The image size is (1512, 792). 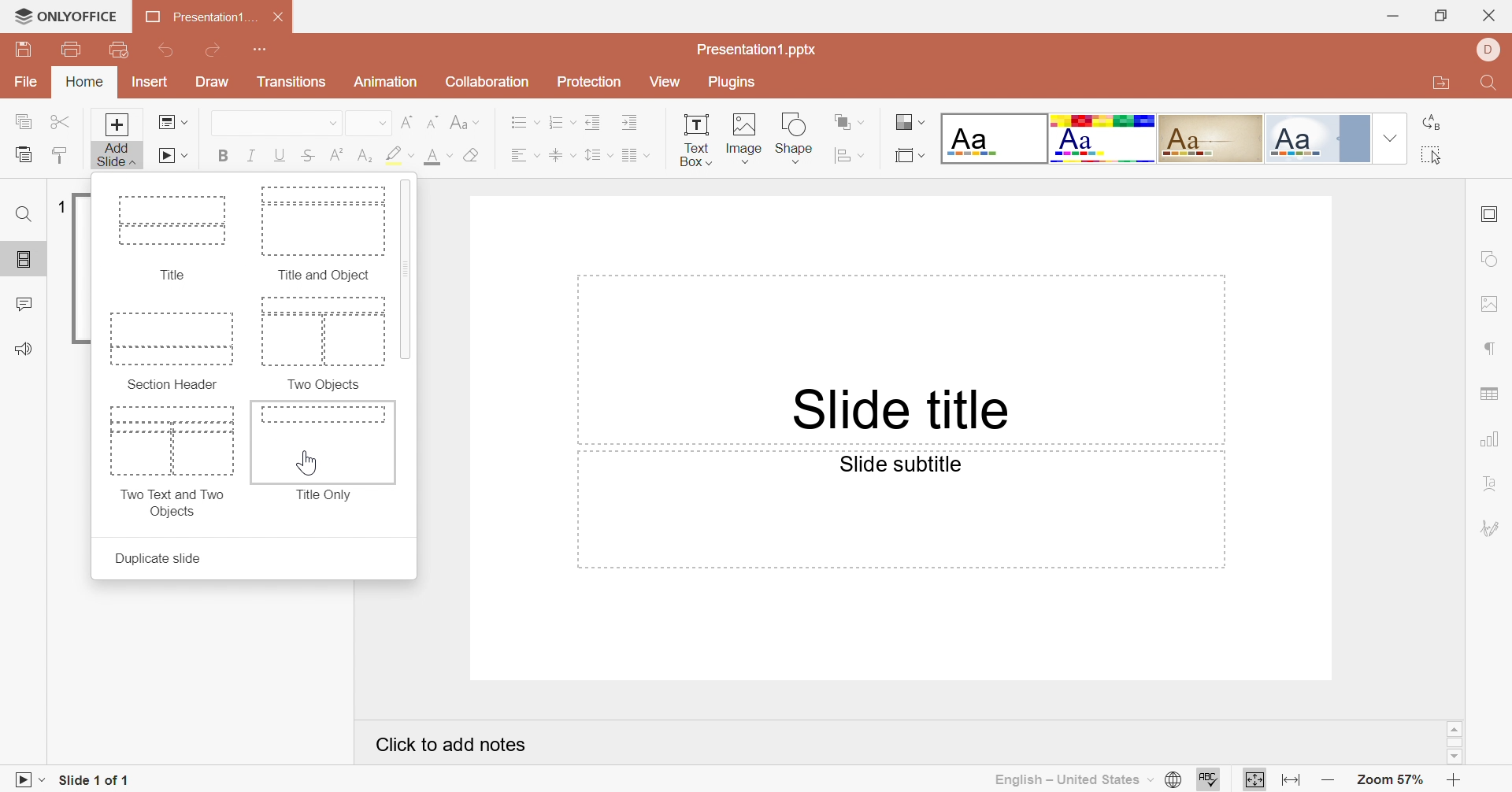 What do you see at coordinates (1488, 350) in the screenshot?
I see `Paragraph settings` at bounding box center [1488, 350].